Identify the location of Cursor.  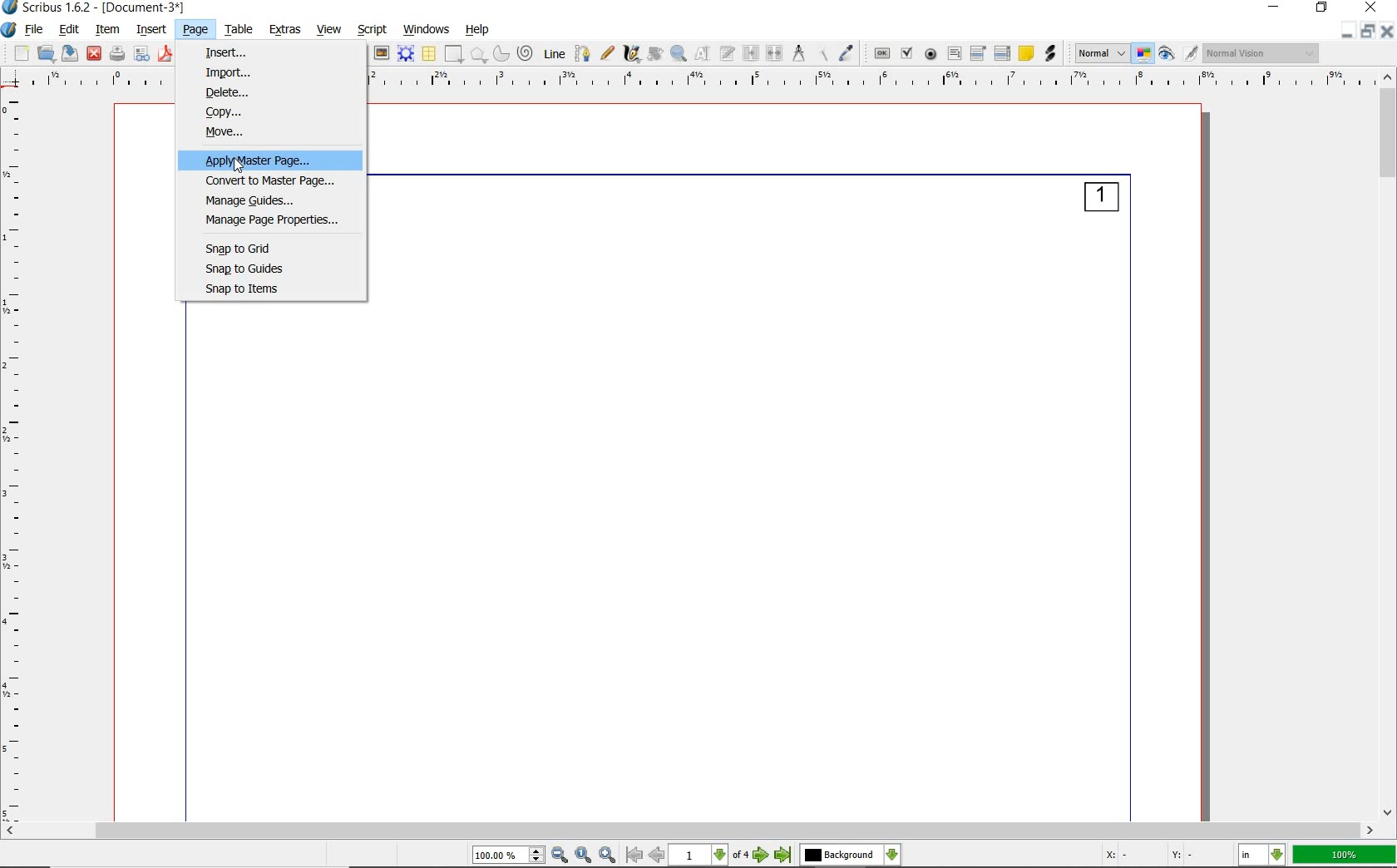
(238, 167).